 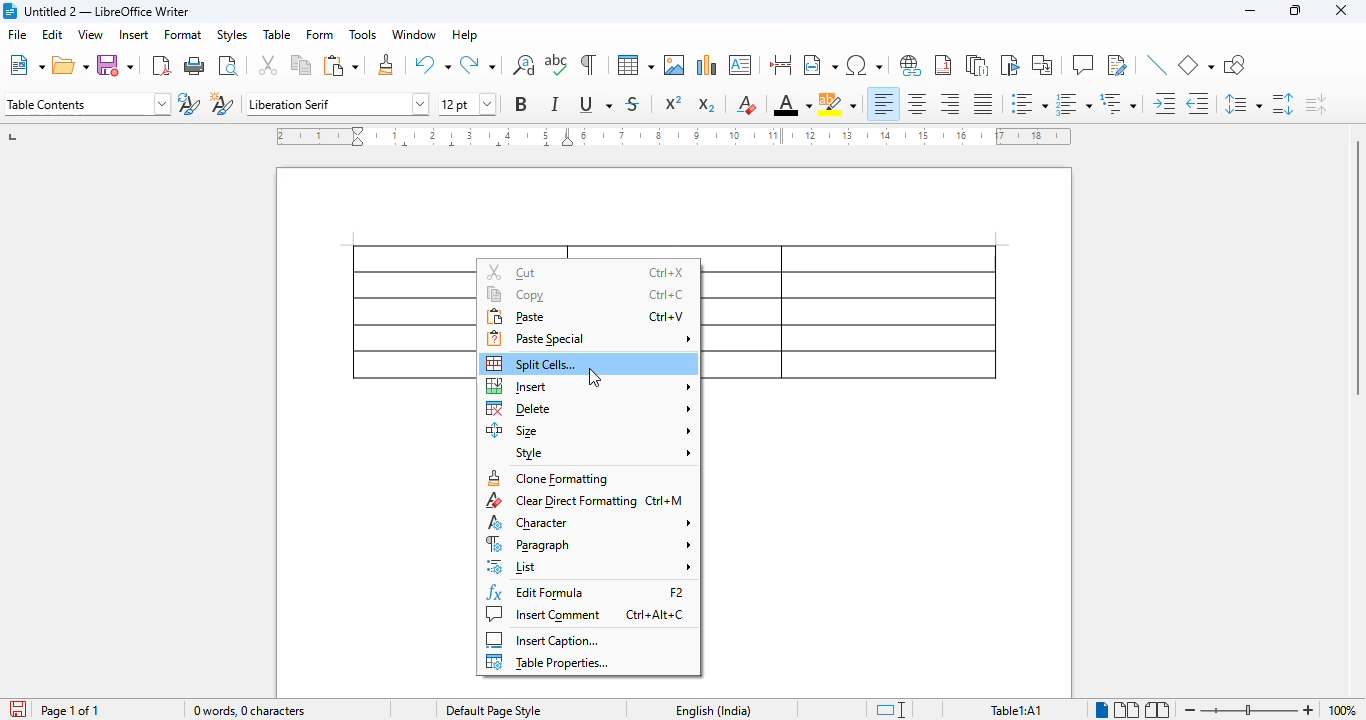 What do you see at coordinates (523, 65) in the screenshot?
I see `find and replace` at bounding box center [523, 65].